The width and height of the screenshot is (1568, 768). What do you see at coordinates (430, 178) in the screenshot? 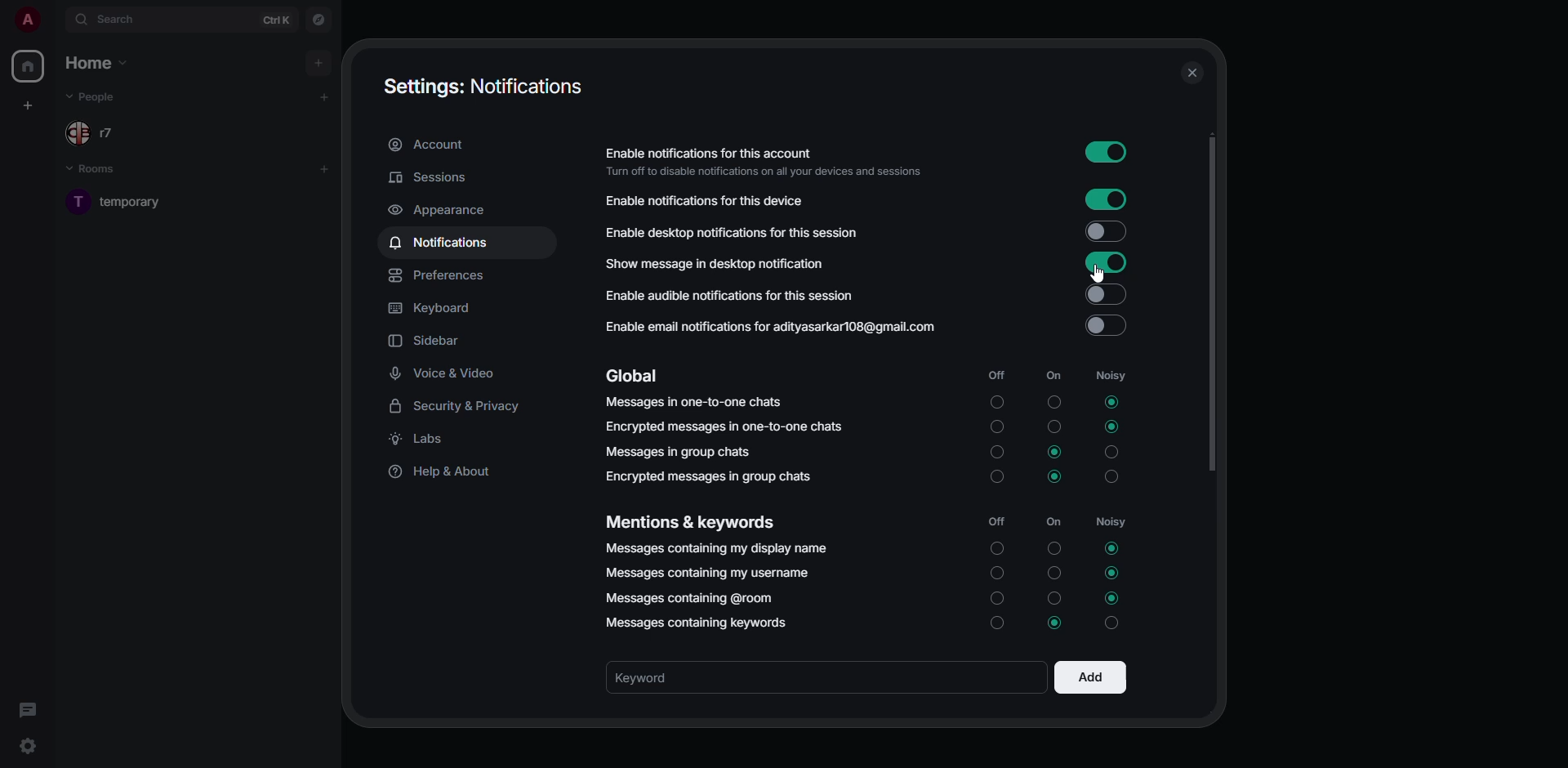
I see `sessions` at bounding box center [430, 178].